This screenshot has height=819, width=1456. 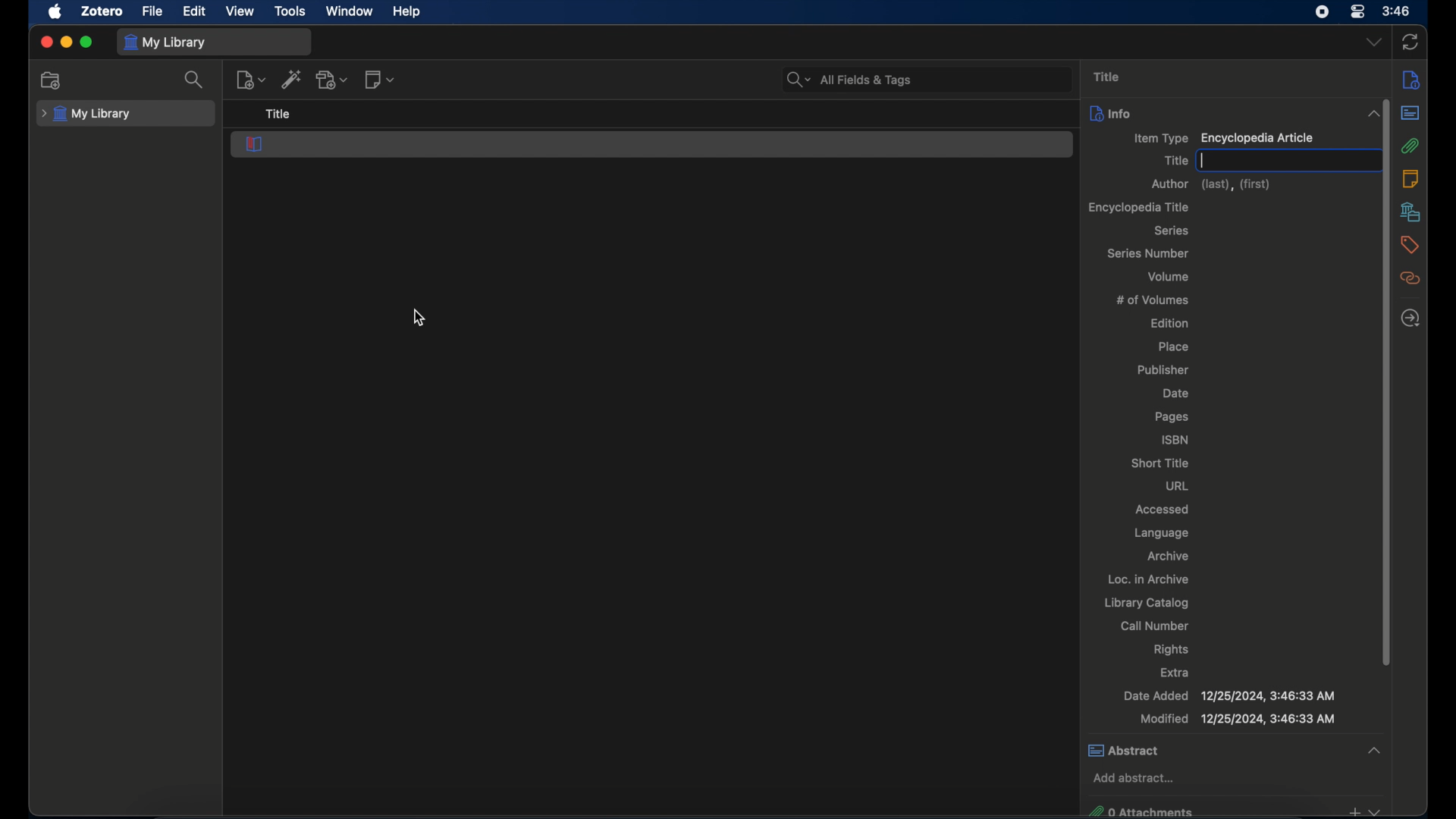 I want to click on info, so click(x=1111, y=113).